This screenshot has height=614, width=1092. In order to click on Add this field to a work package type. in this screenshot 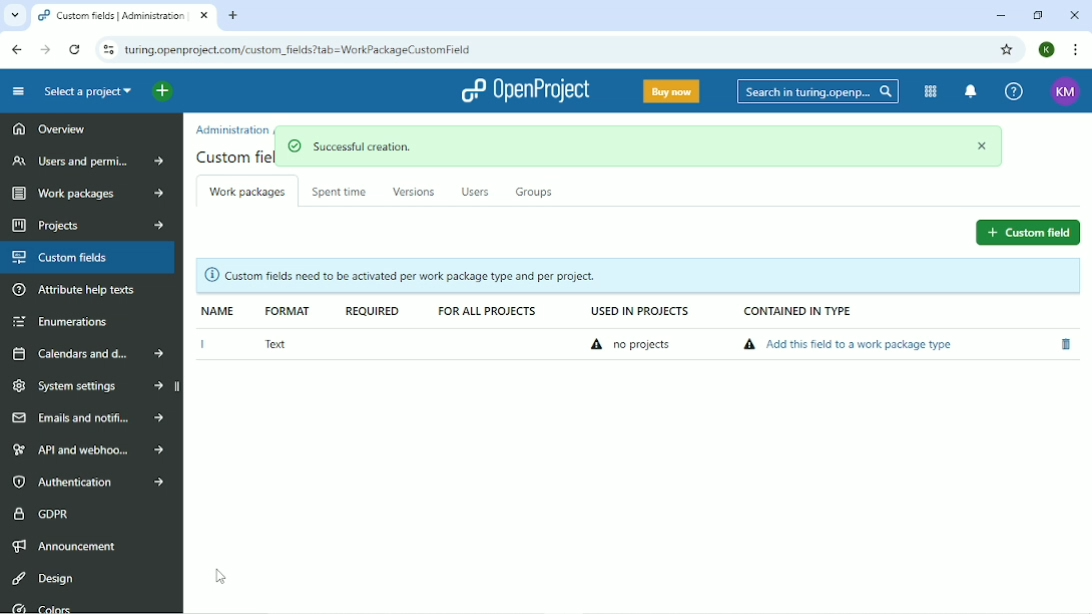, I will do `click(851, 345)`.